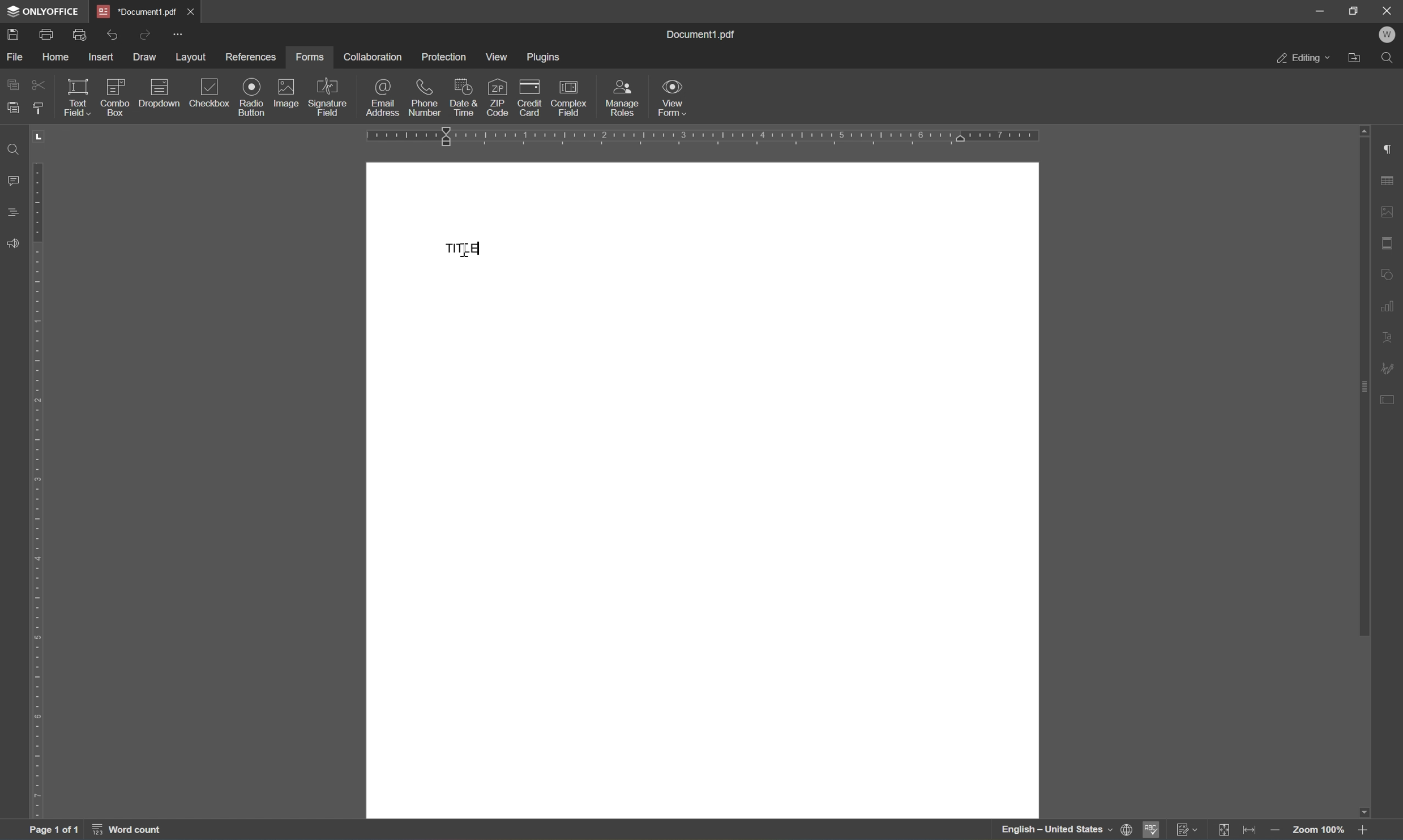  What do you see at coordinates (13, 244) in the screenshot?
I see `feedback & support` at bounding box center [13, 244].